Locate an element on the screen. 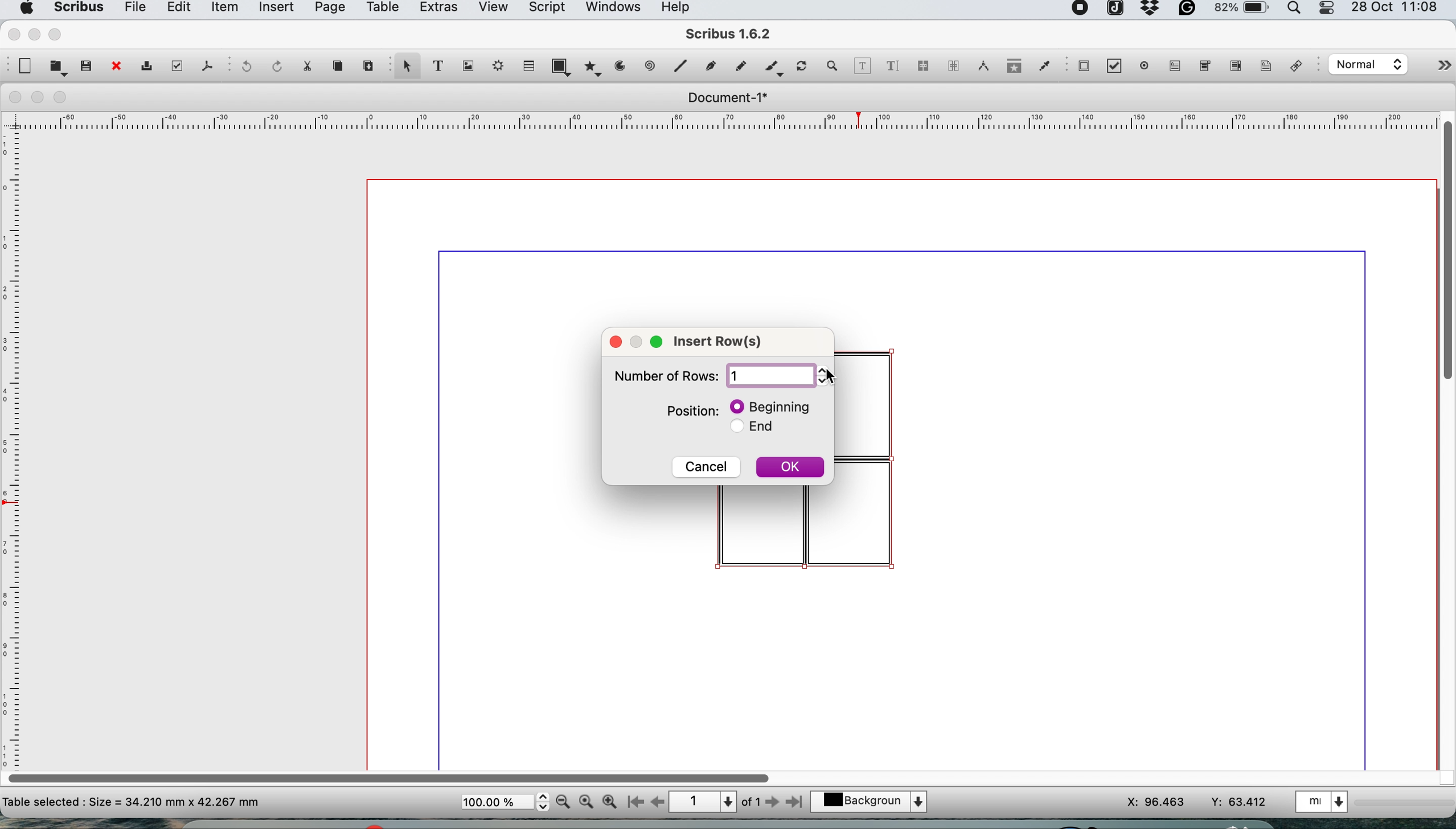 The image size is (1456, 829). control center is located at coordinates (1328, 9).